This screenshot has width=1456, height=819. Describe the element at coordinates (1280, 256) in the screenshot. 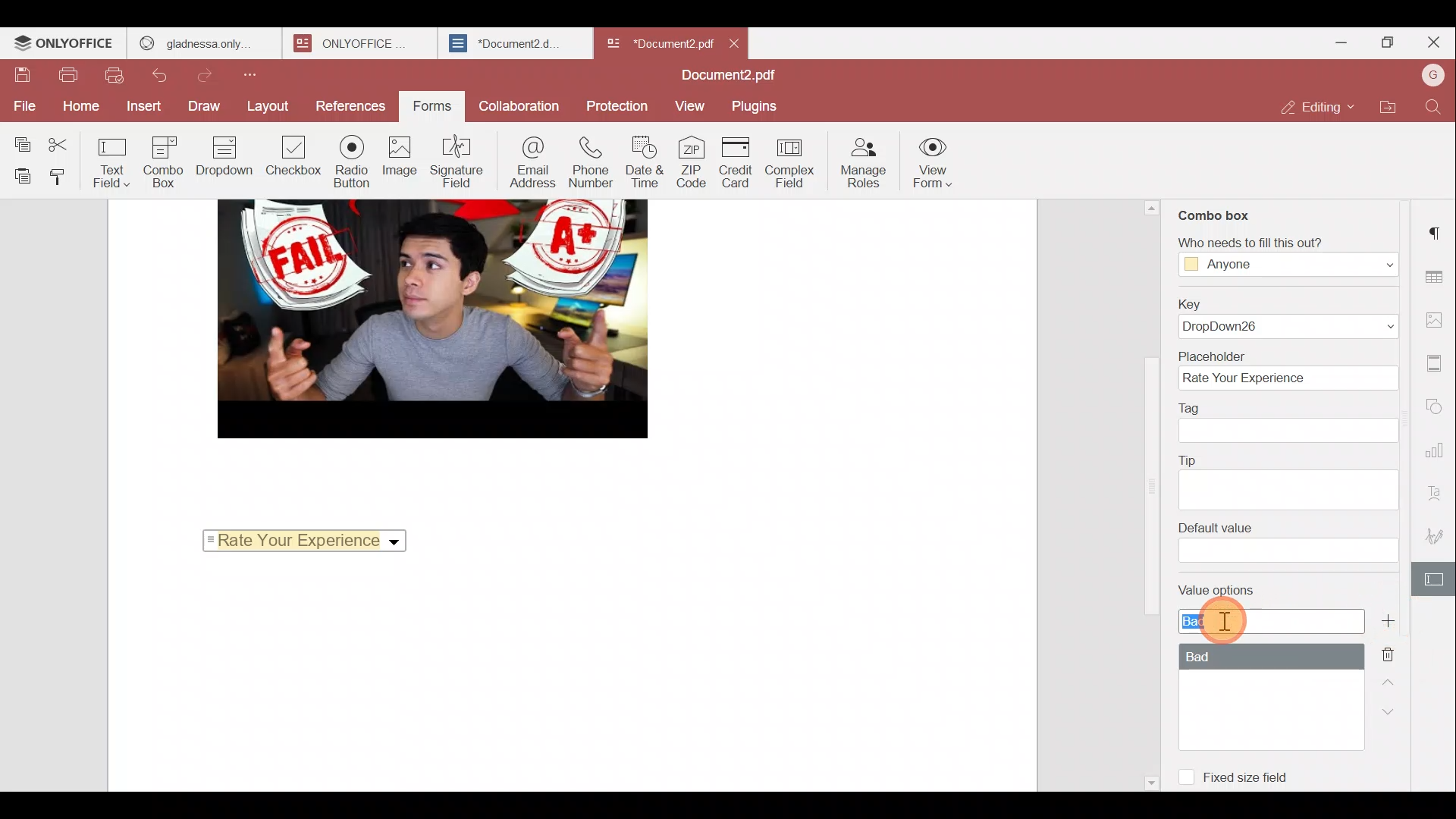

I see `‘Who needs to fill this out?` at that location.